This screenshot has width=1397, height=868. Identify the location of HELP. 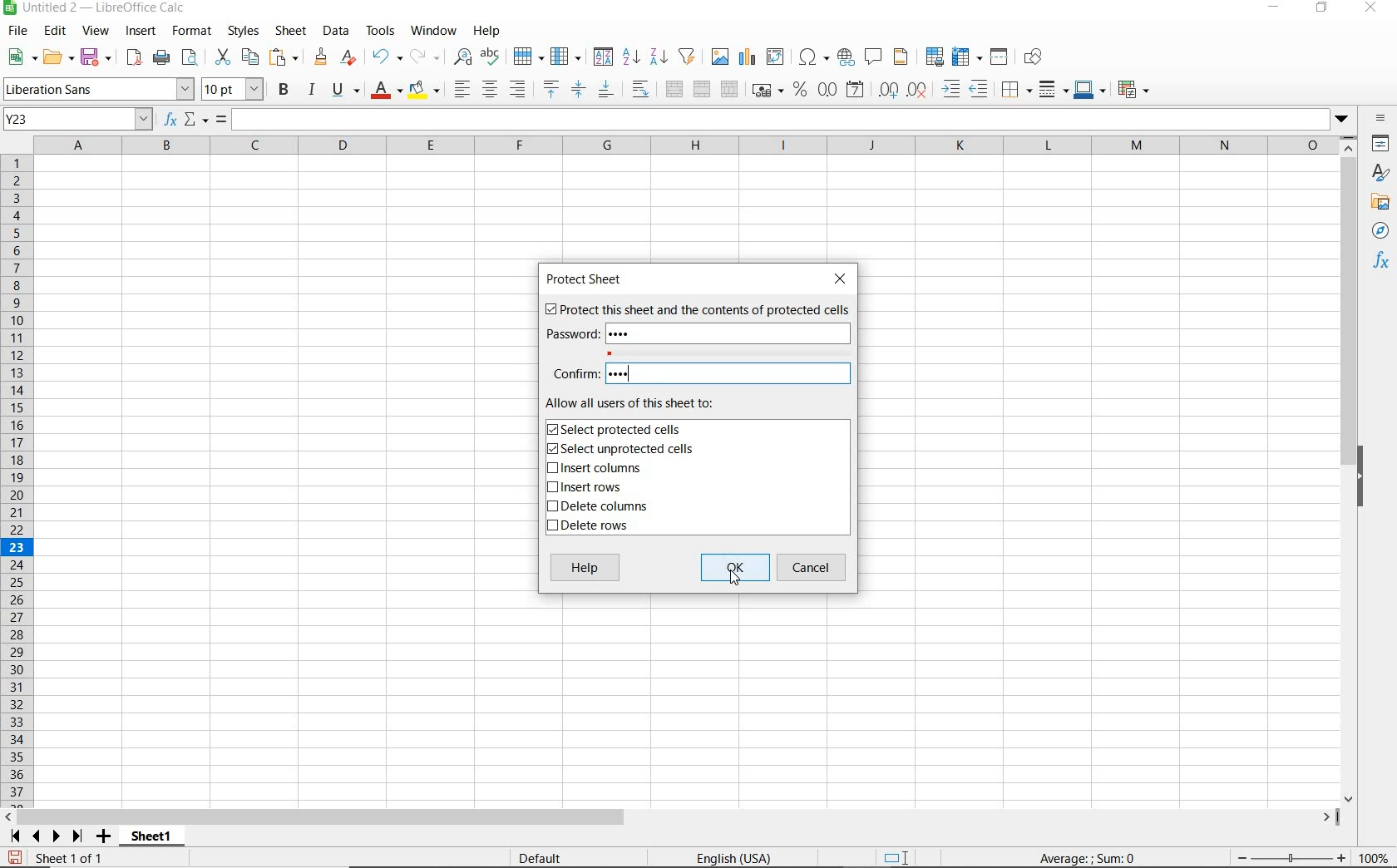
(490, 31).